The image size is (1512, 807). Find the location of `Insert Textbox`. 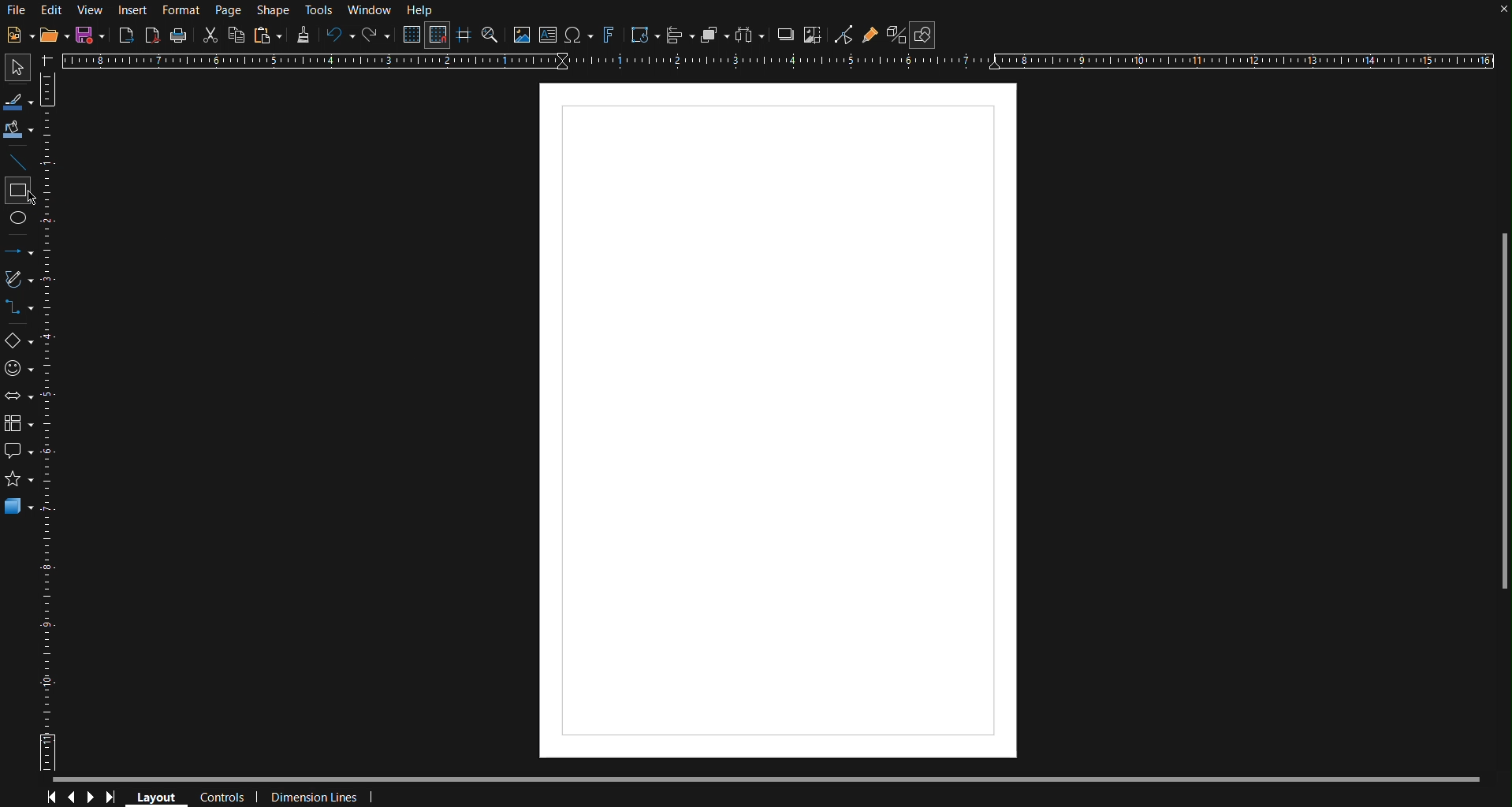

Insert Textbox is located at coordinates (549, 35).